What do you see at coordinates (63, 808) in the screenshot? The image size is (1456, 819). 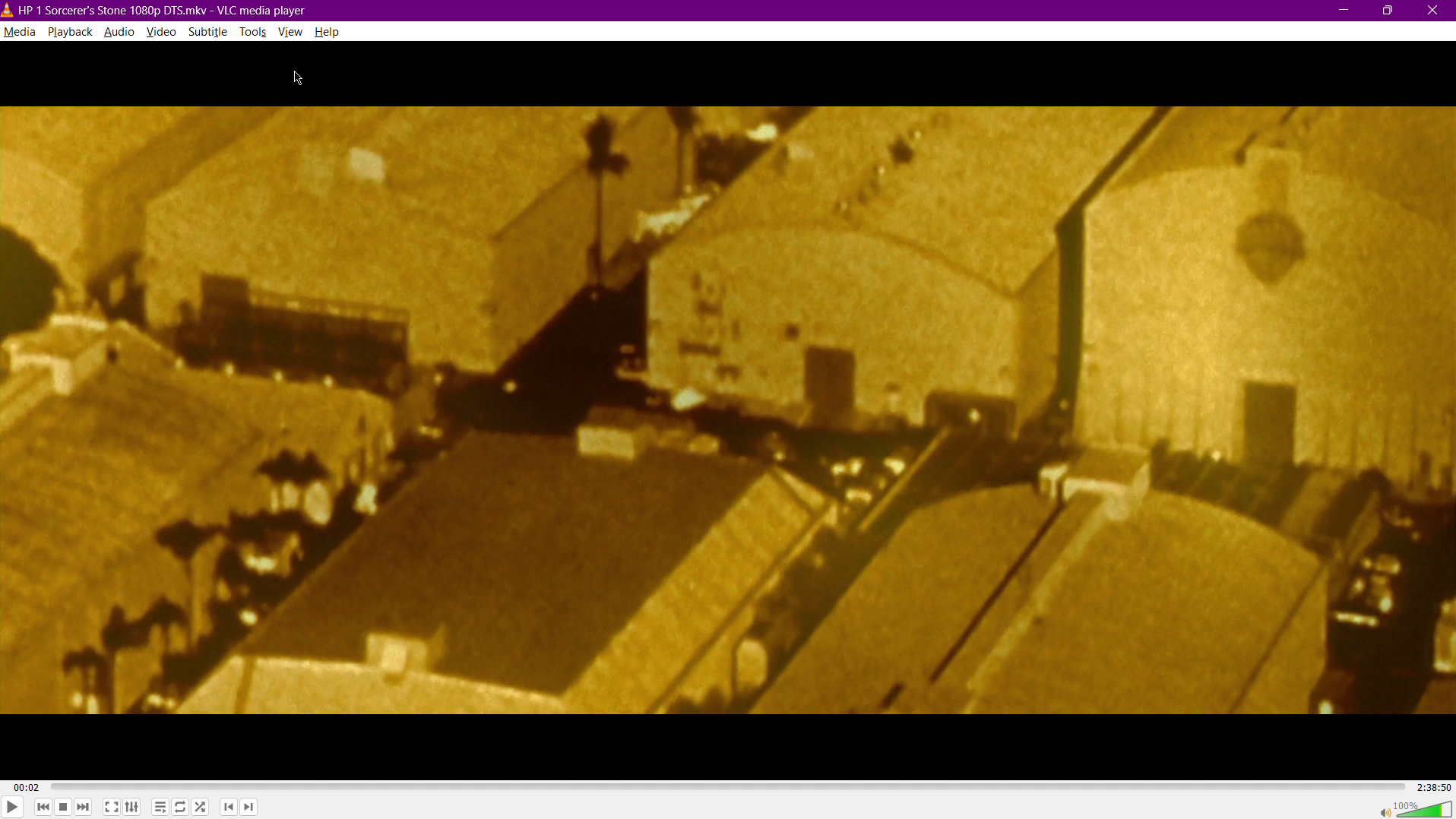 I see `Stop` at bounding box center [63, 808].